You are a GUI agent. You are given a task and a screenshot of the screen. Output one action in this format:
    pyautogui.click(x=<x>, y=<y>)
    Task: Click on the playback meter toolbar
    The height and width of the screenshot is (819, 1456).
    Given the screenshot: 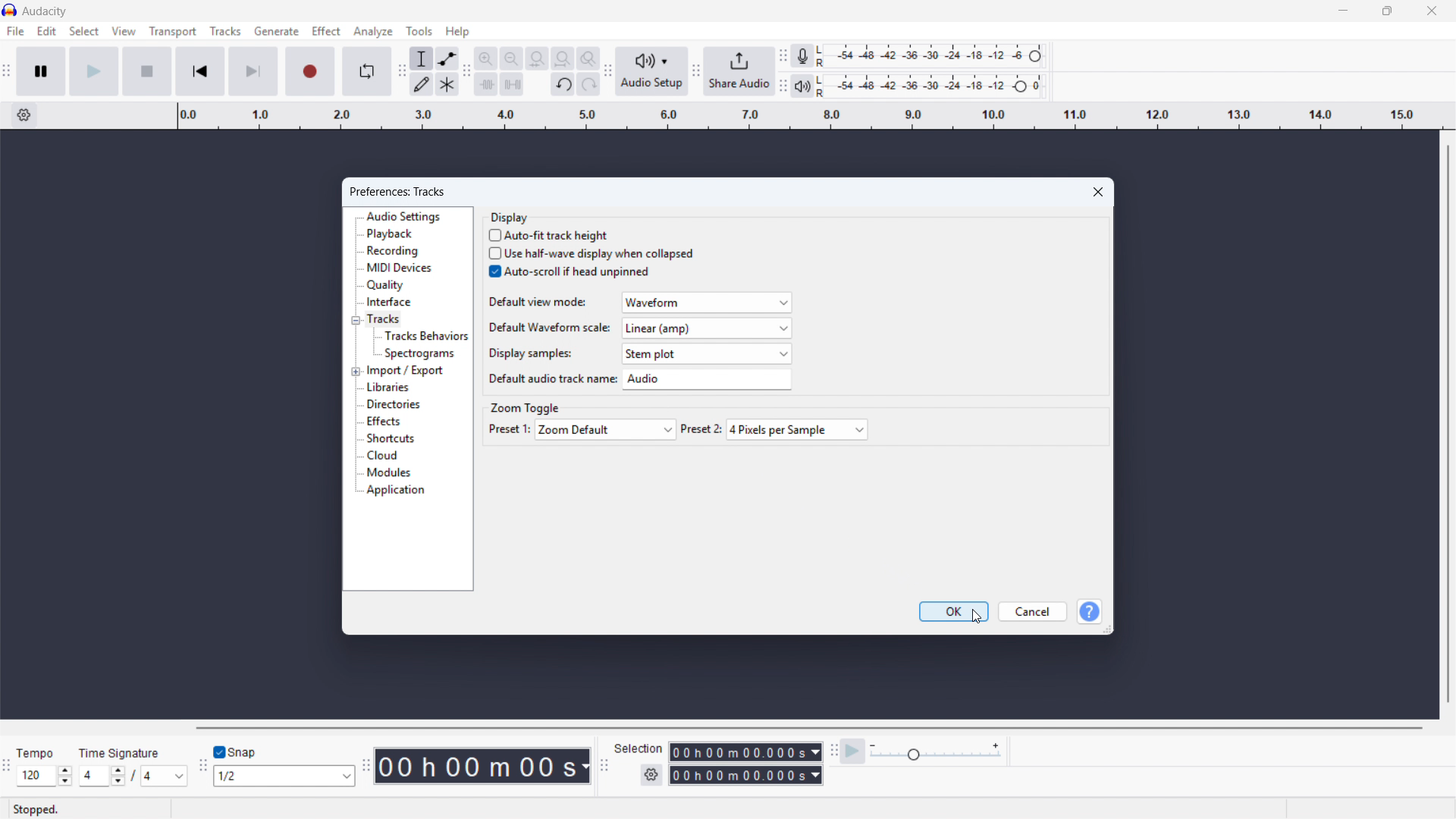 What is the action you would take?
    pyautogui.click(x=783, y=86)
    